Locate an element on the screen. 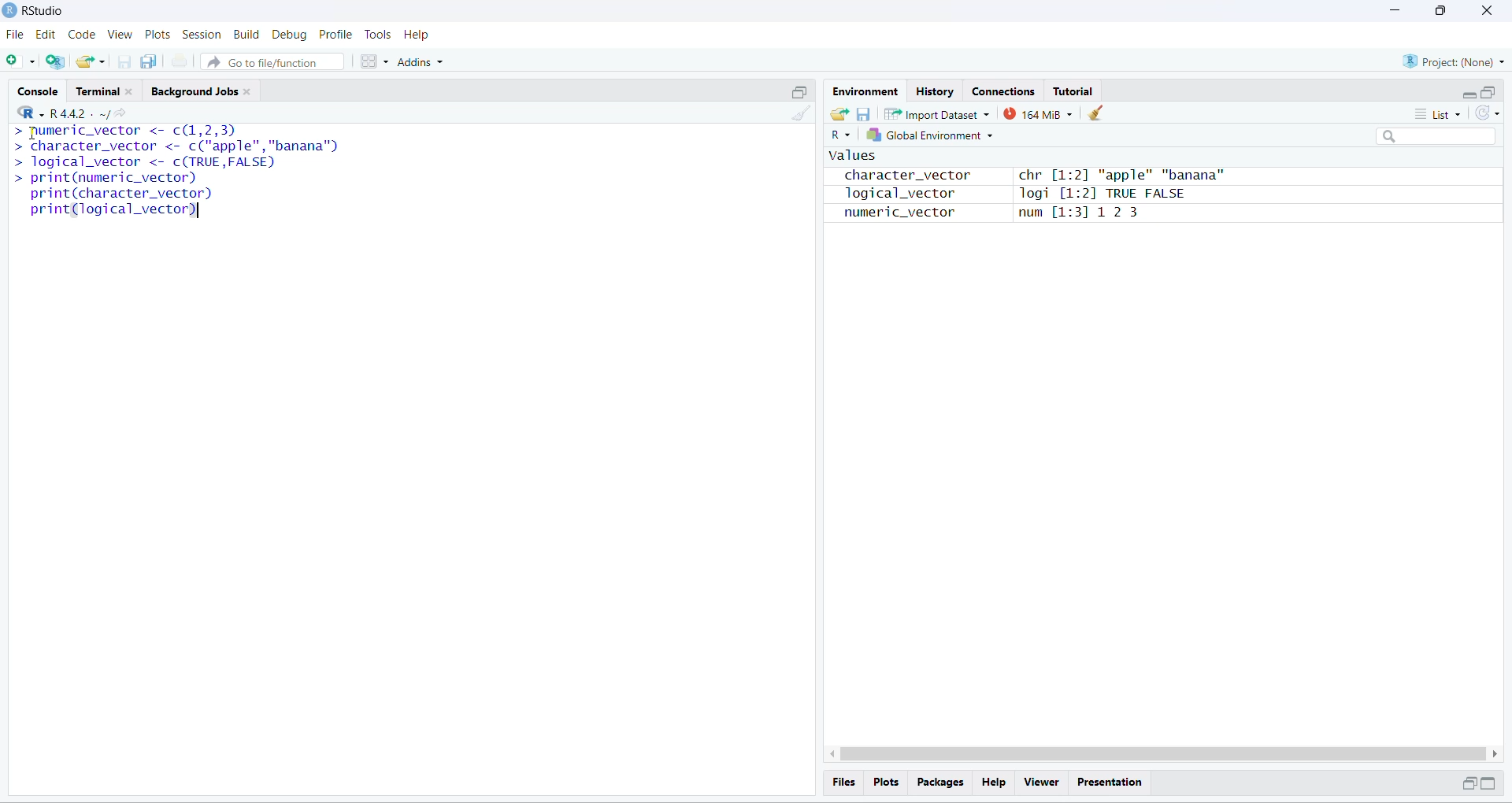 The image size is (1512, 803). ‘character_vector <- c("apple","banana") is located at coordinates (176, 146).